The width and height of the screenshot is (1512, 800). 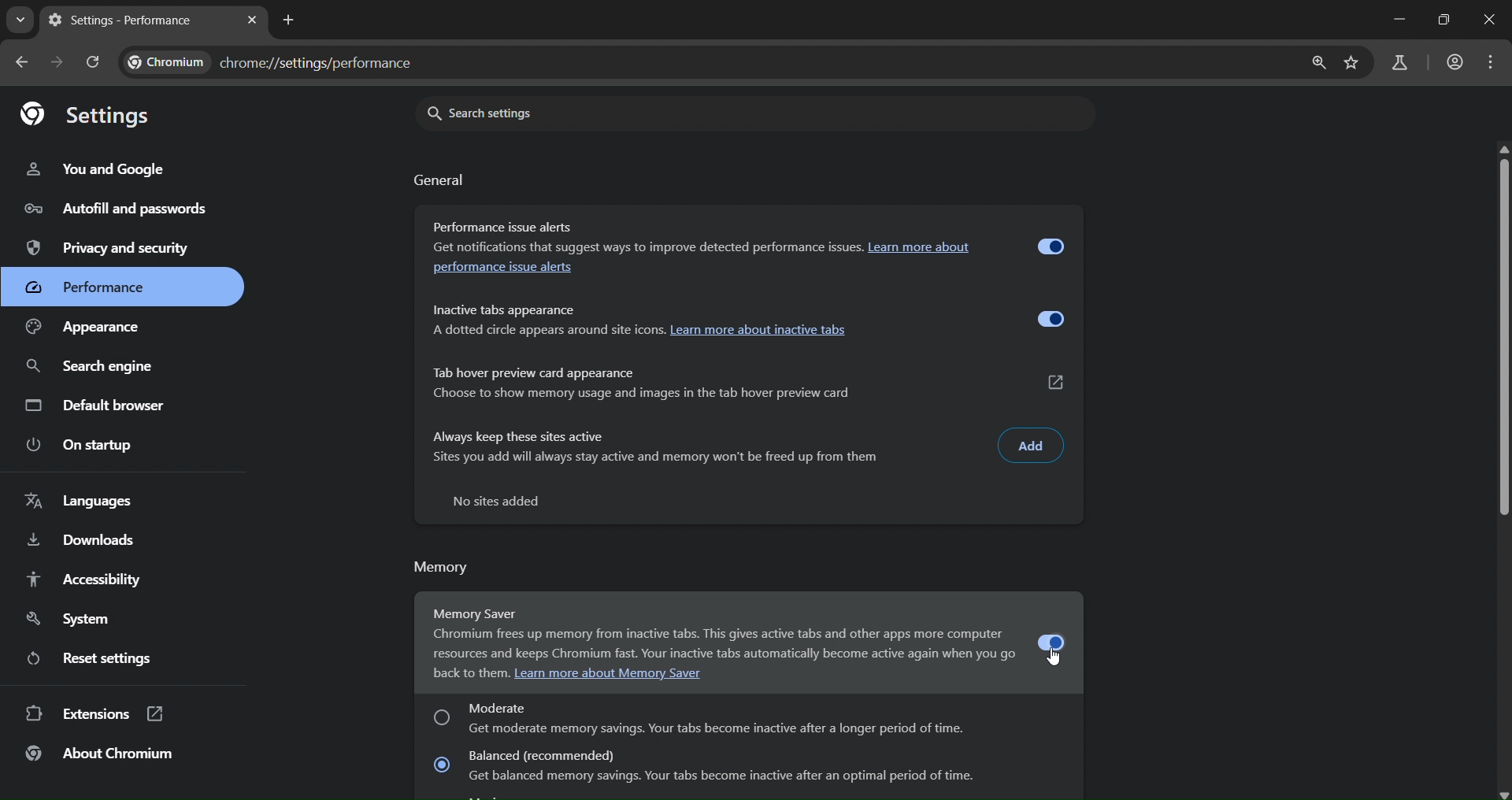 What do you see at coordinates (91, 329) in the screenshot?
I see `appearance` at bounding box center [91, 329].